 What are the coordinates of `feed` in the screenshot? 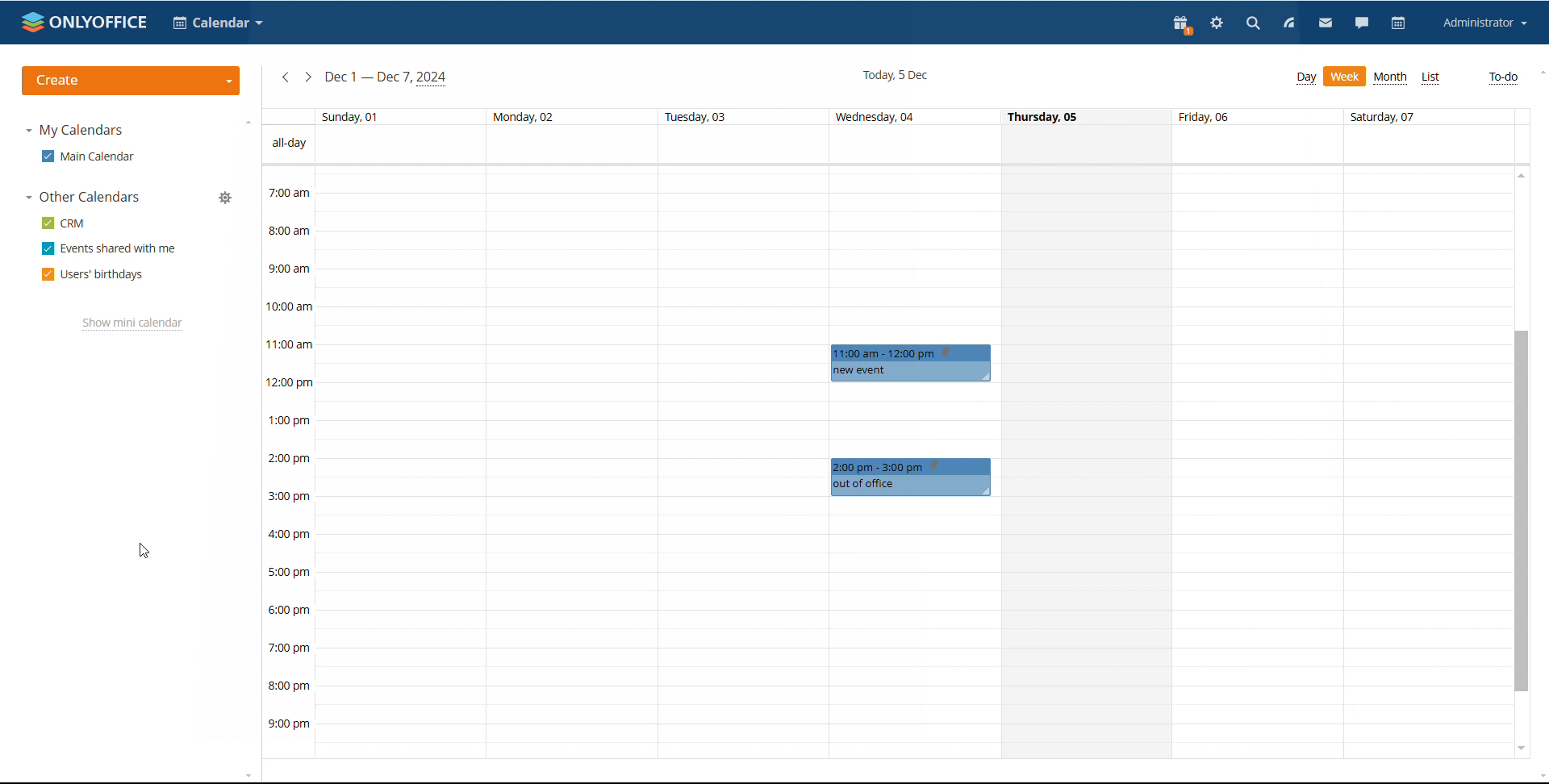 It's located at (1289, 23).